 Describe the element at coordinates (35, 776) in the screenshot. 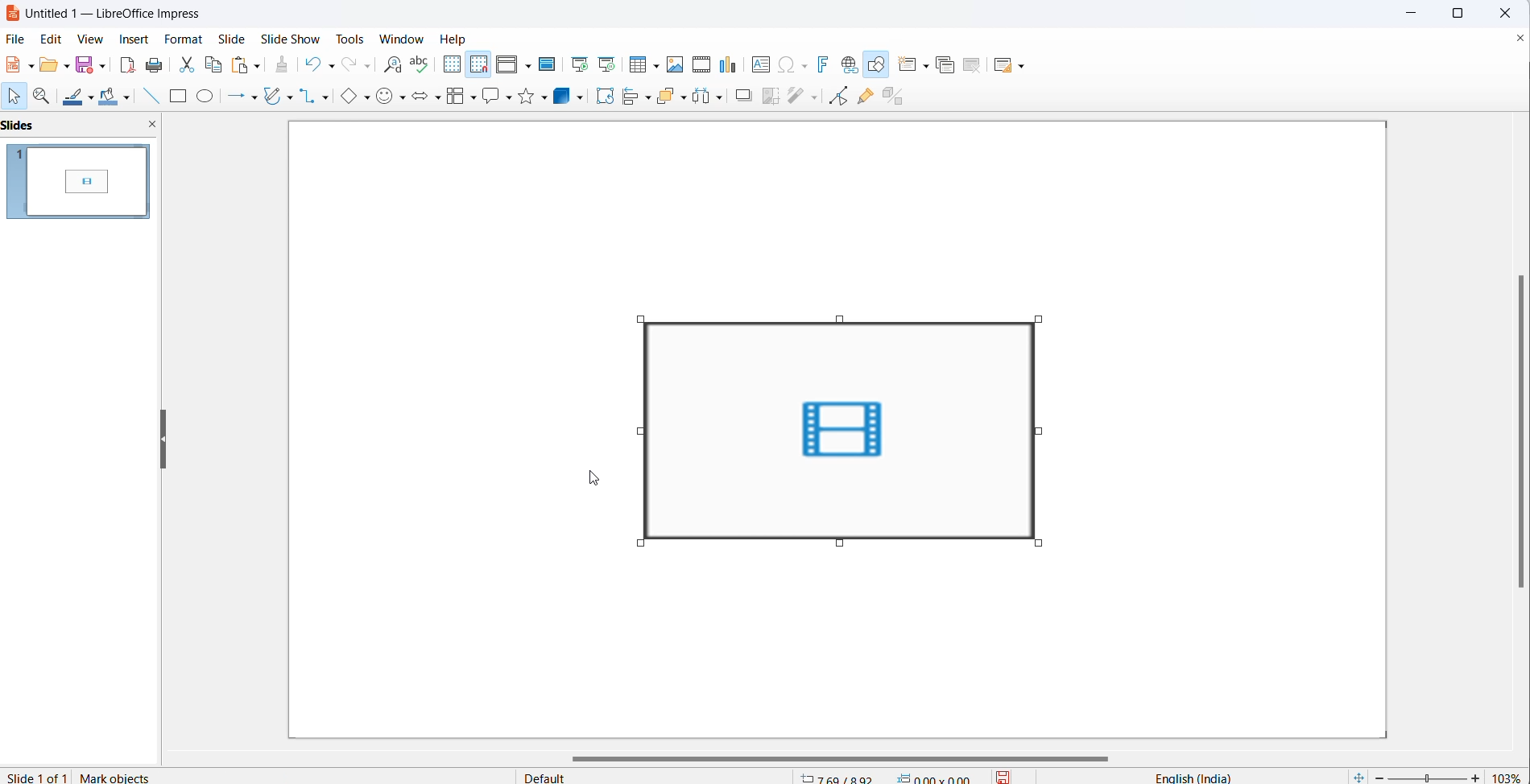

I see `current slide` at that location.